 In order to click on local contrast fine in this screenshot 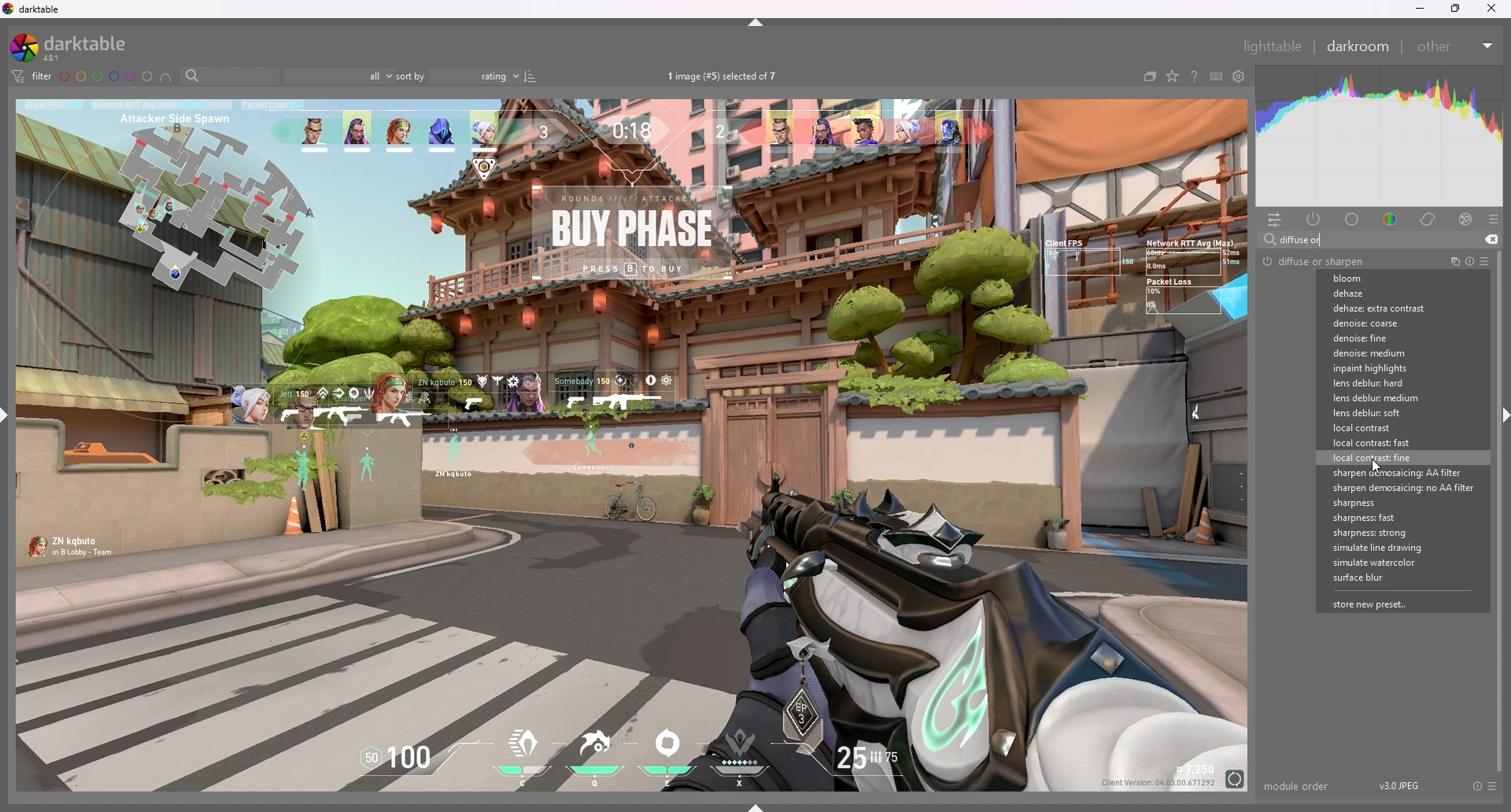, I will do `click(1384, 457)`.